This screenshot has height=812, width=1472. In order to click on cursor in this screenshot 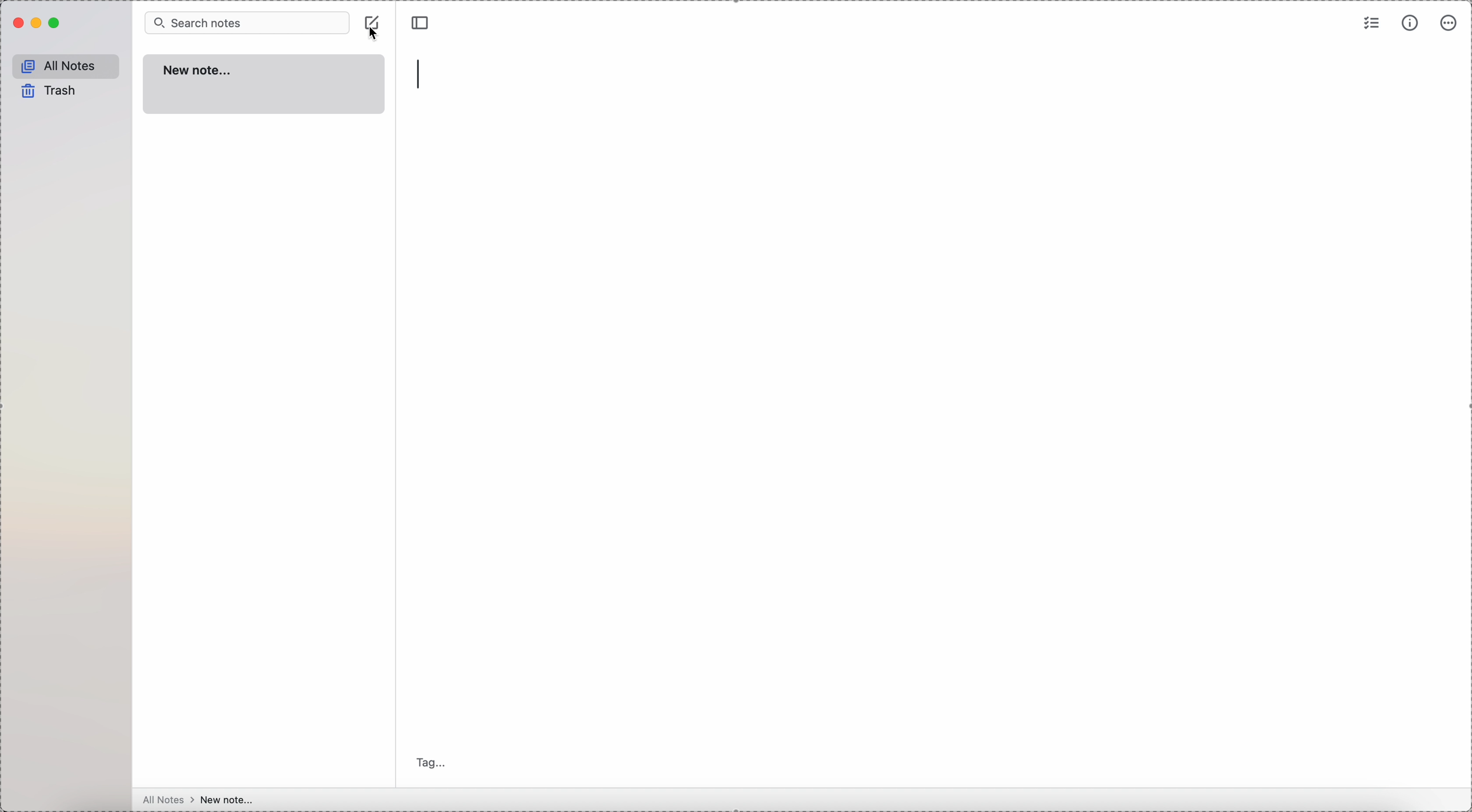, I will do `click(375, 35)`.